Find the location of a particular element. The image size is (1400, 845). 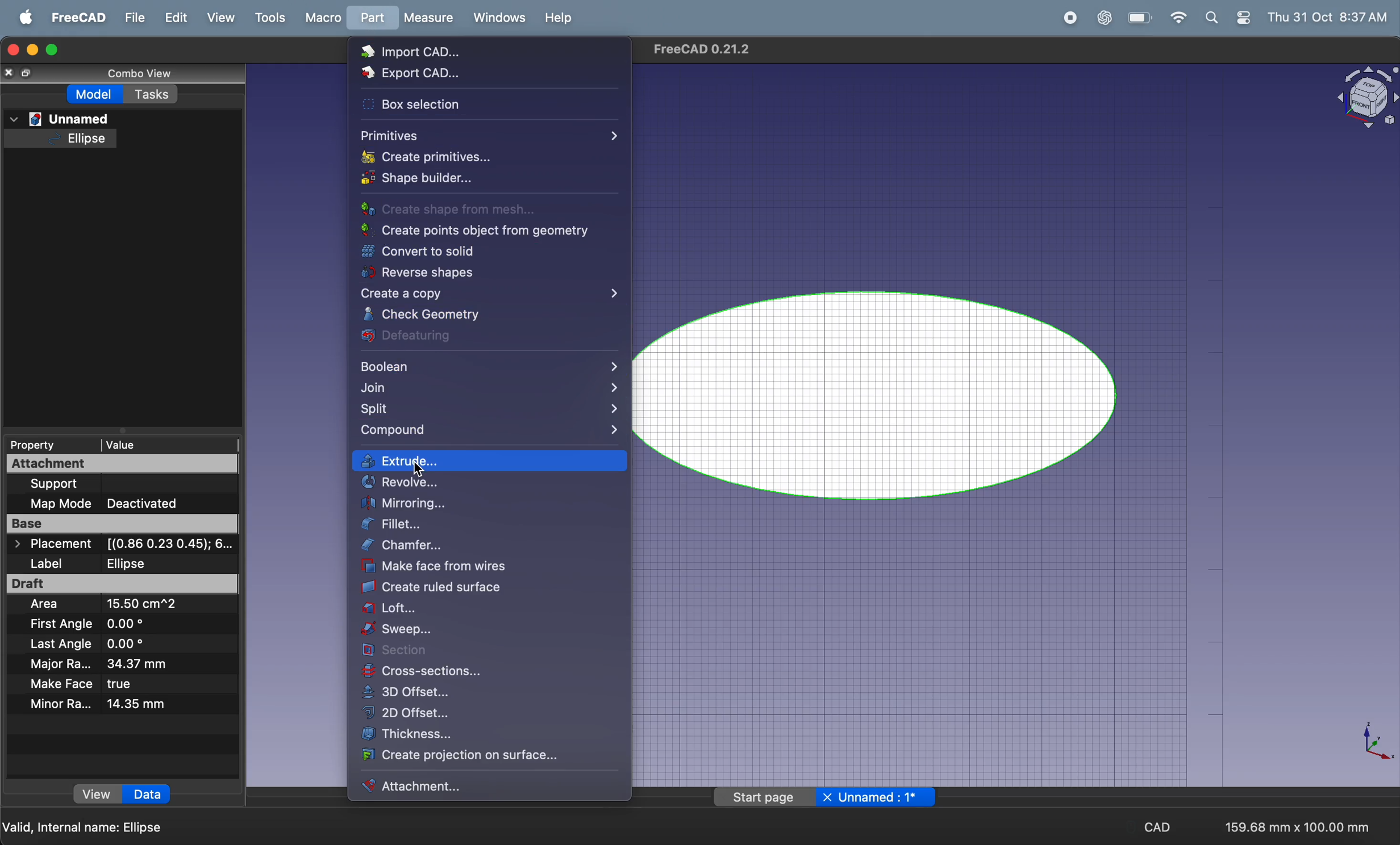

battery is located at coordinates (1138, 18).